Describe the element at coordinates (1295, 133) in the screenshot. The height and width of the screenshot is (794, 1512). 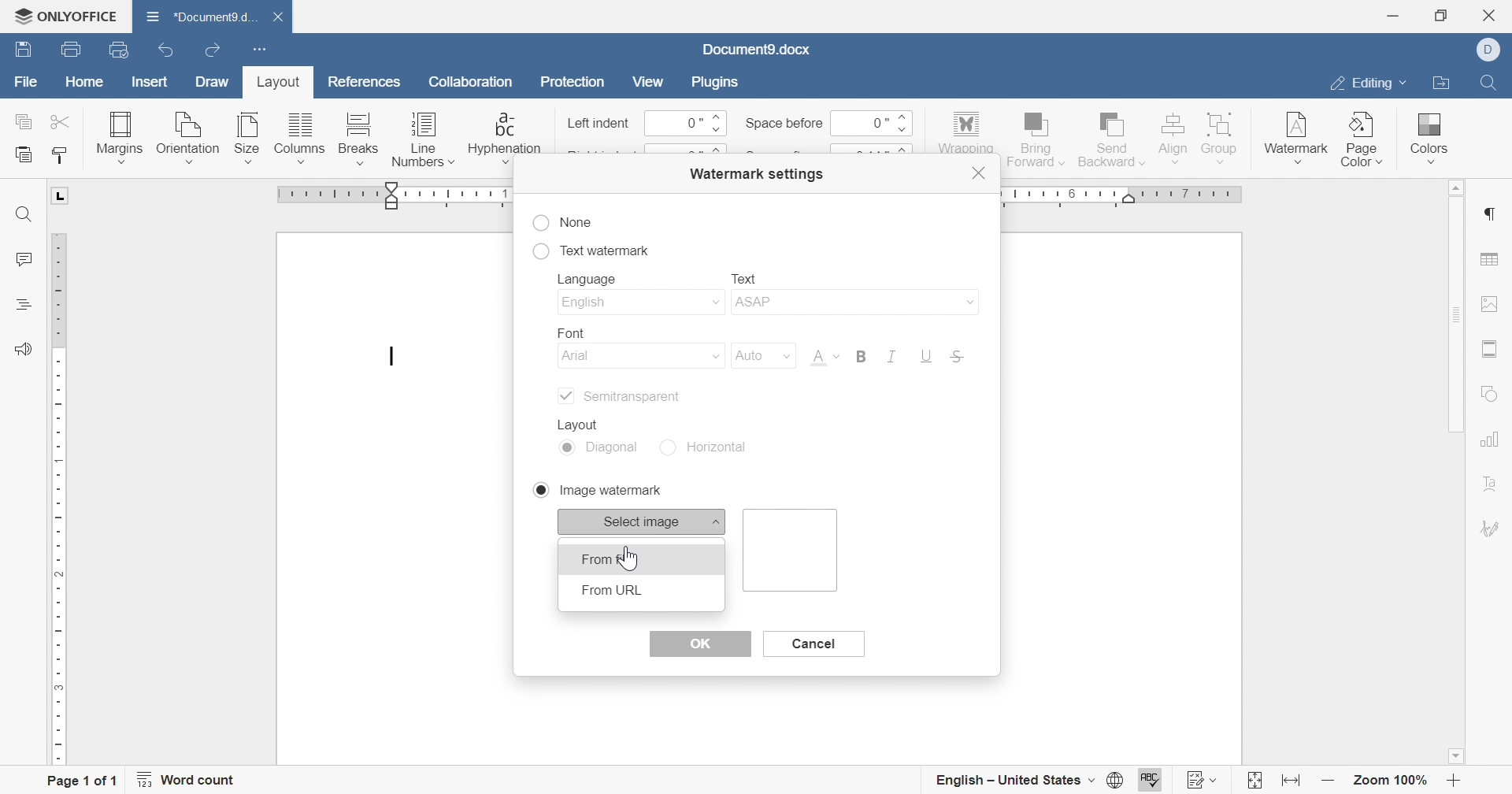
I see `watermark` at that location.